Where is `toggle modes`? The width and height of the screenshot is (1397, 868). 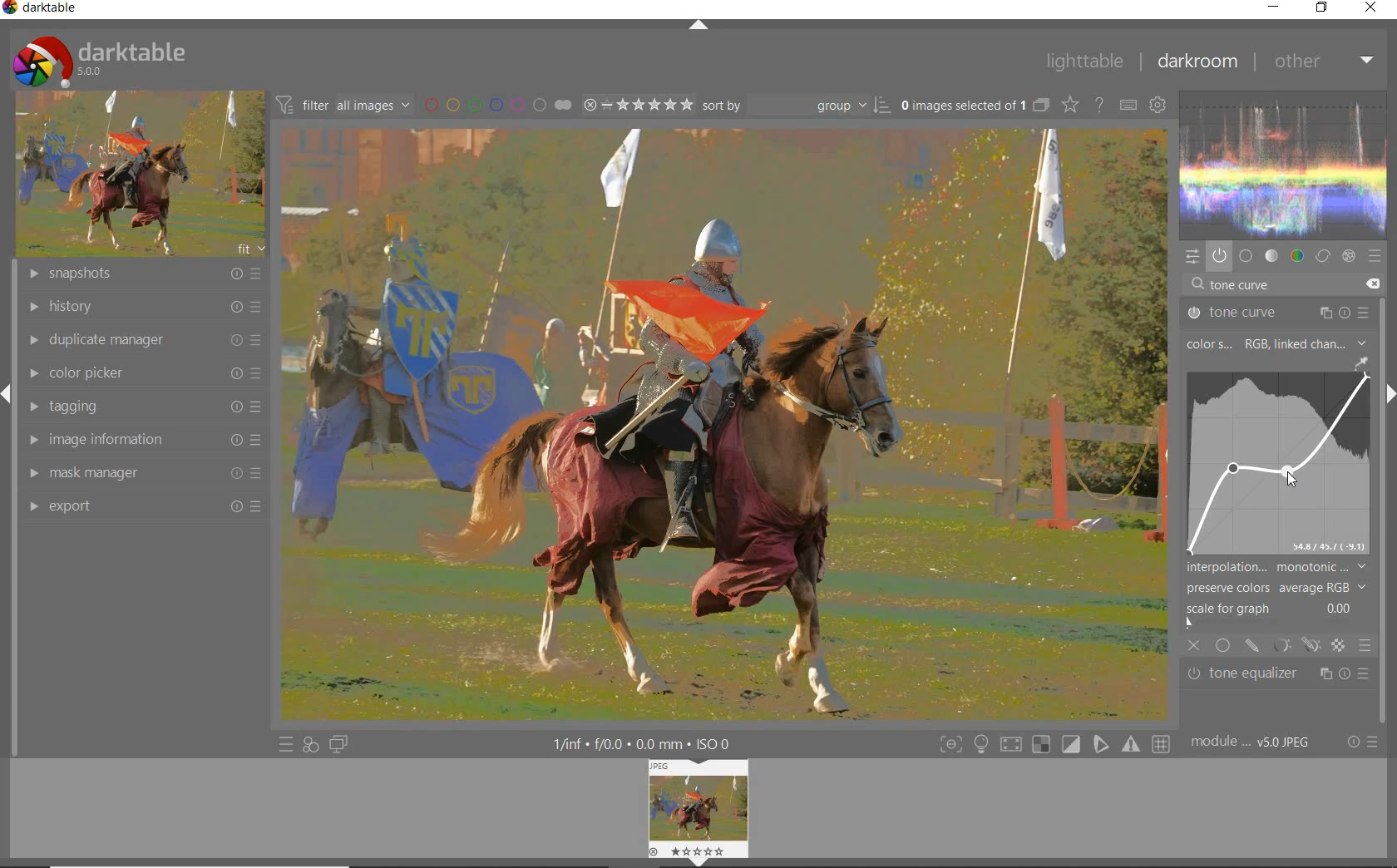 toggle modes is located at coordinates (1051, 744).